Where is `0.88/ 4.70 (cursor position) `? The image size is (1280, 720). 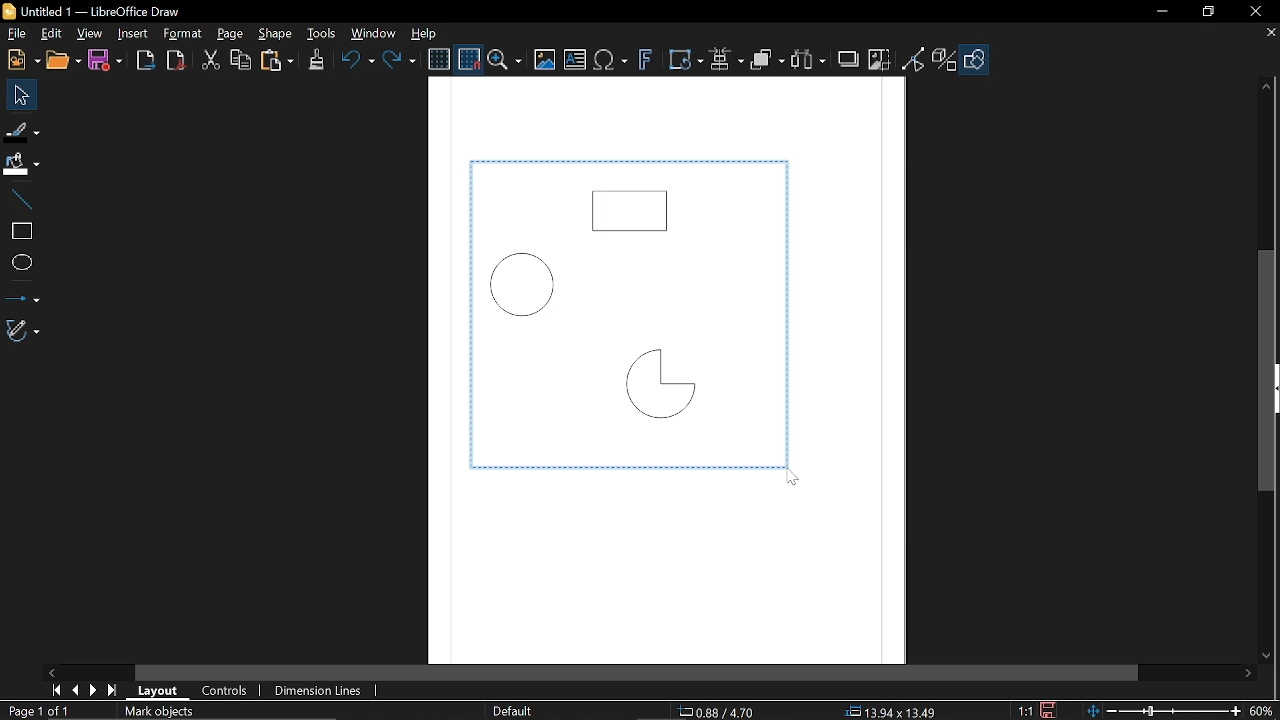
0.88/ 4.70 (cursor position)  is located at coordinates (717, 711).